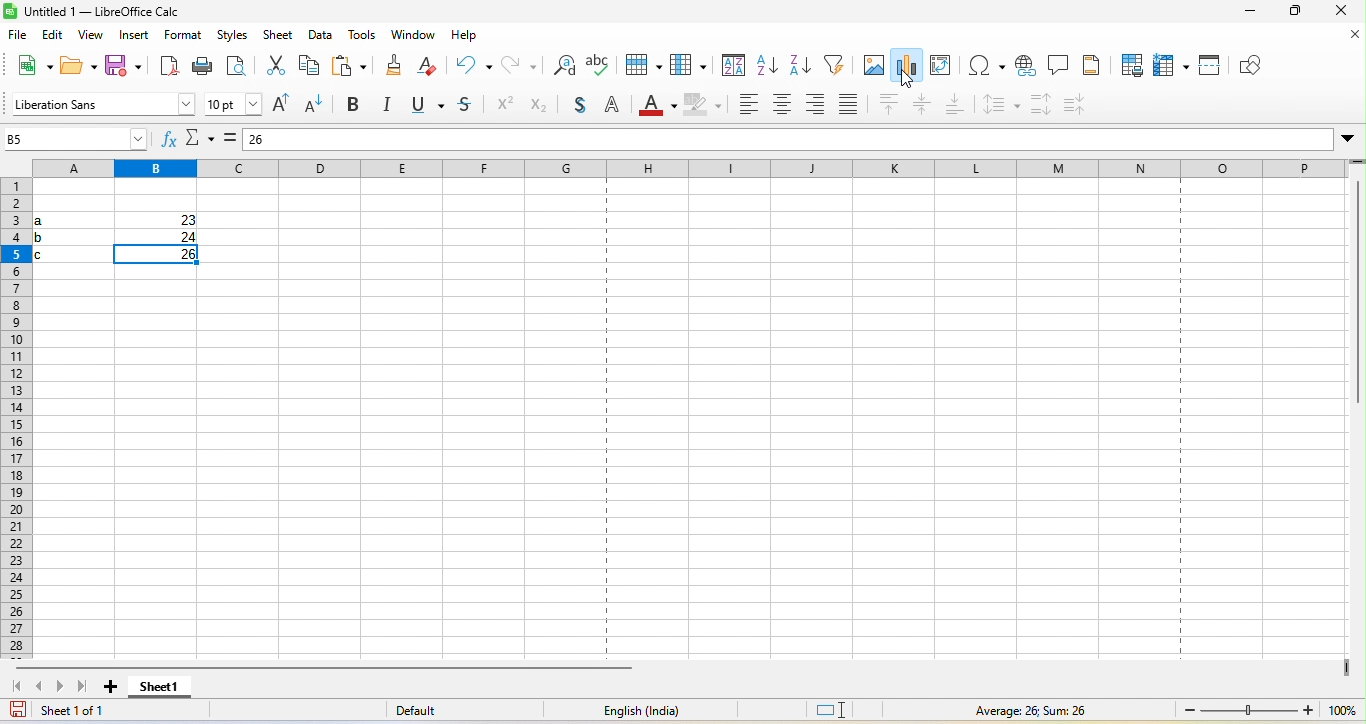 This screenshot has height=724, width=1366. I want to click on vertical scroll bar, so click(1357, 298).